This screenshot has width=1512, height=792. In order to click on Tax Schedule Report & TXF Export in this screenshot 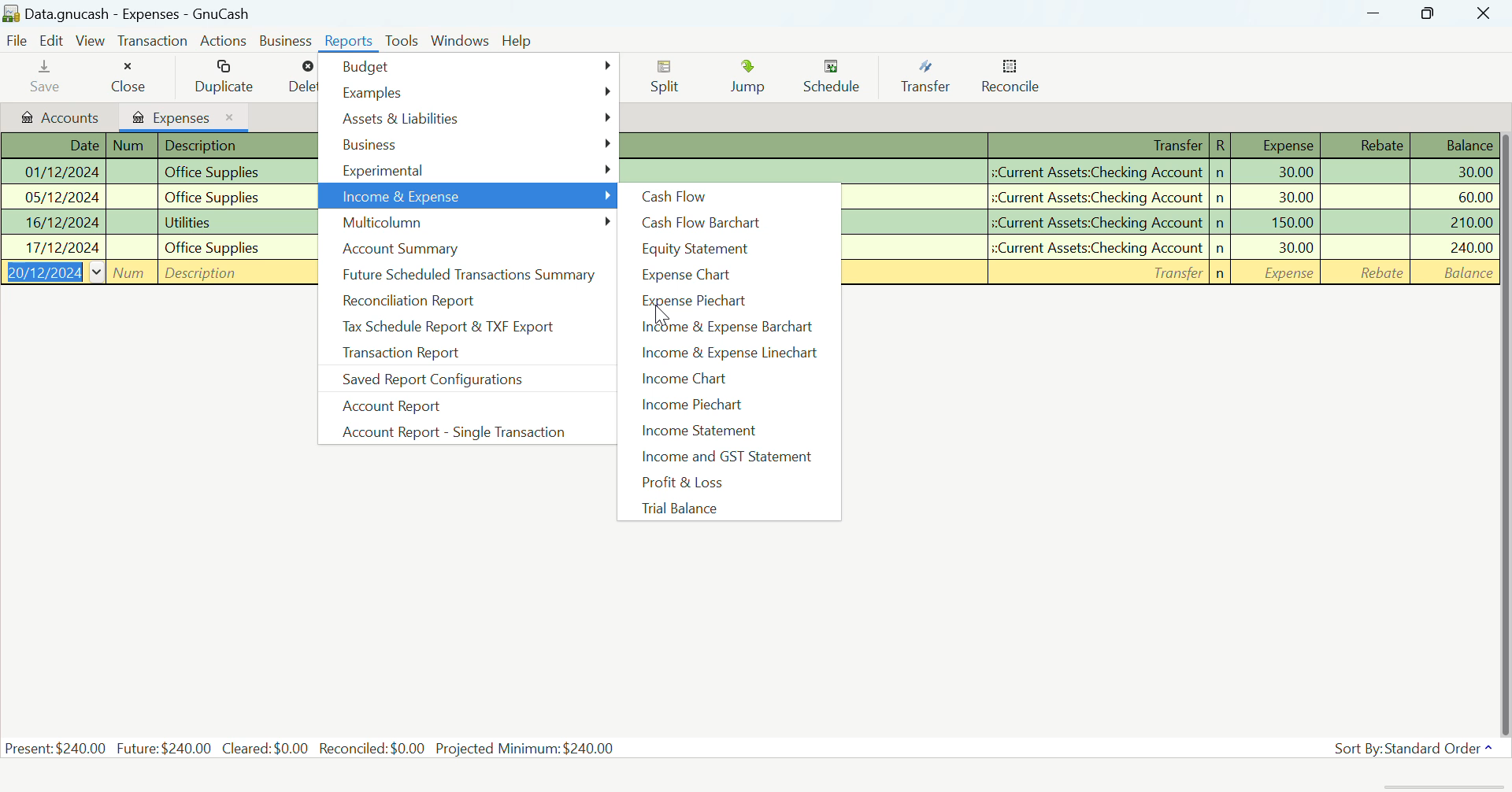, I will do `click(460, 328)`.